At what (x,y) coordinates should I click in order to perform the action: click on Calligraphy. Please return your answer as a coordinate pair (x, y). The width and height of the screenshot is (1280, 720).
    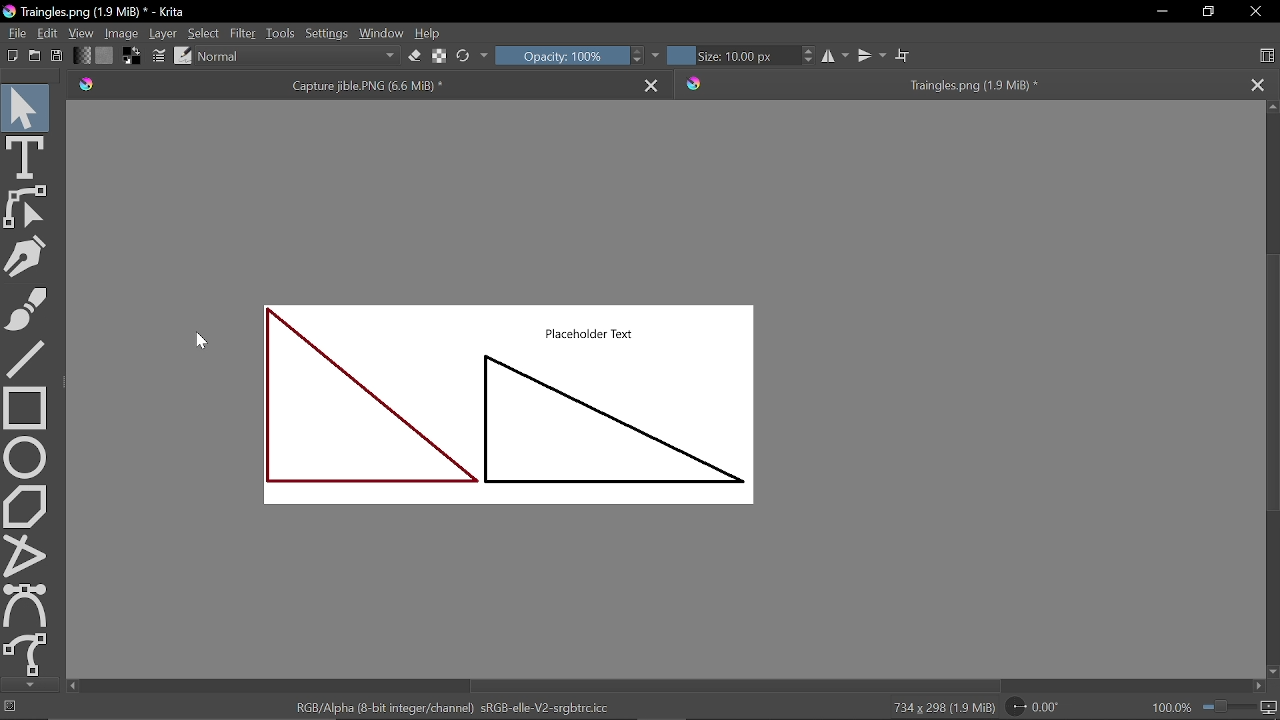
    Looking at the image, I should click on (26, 258).